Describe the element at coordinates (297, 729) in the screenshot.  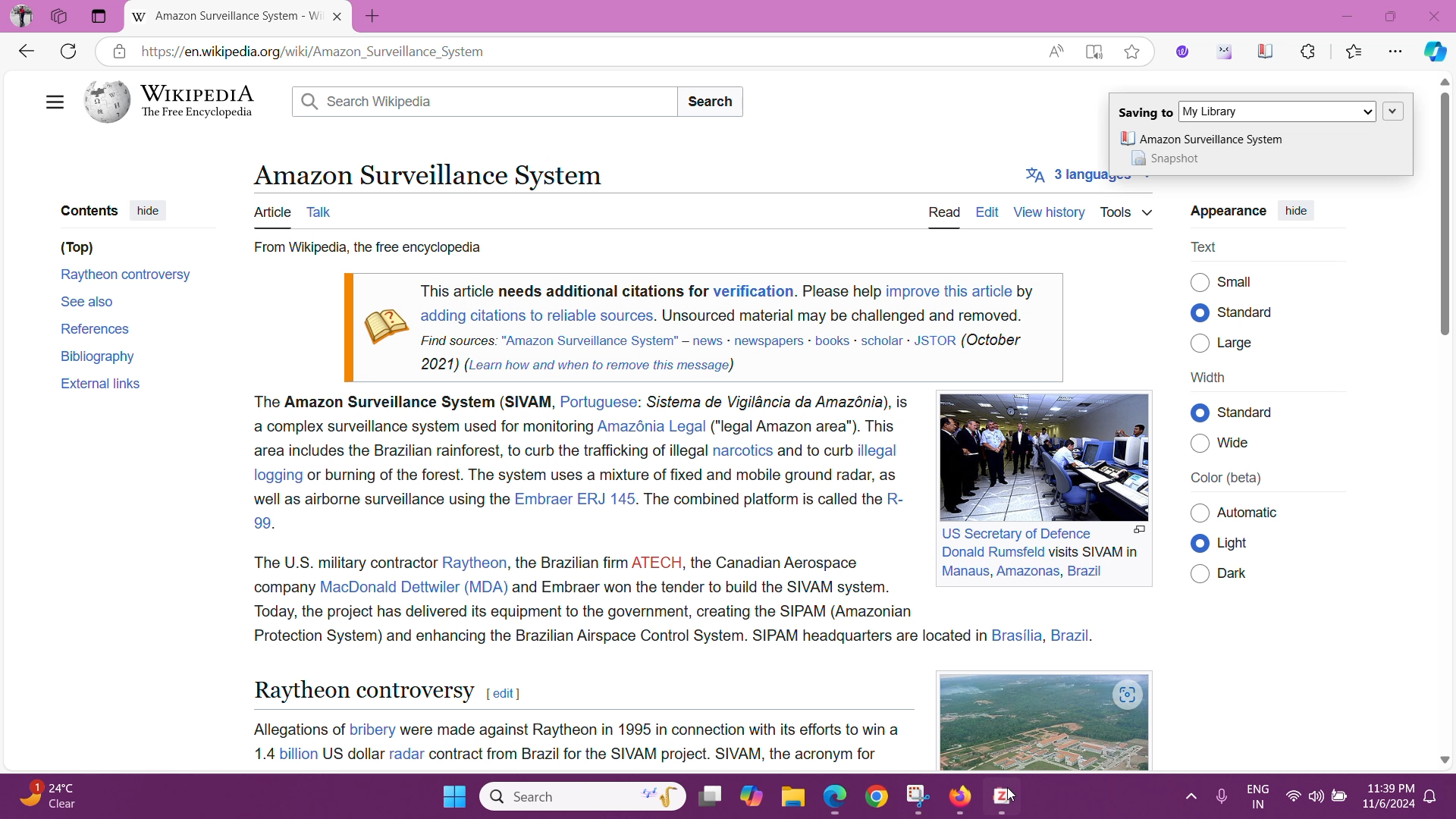
I see `Allegations of` at that location.